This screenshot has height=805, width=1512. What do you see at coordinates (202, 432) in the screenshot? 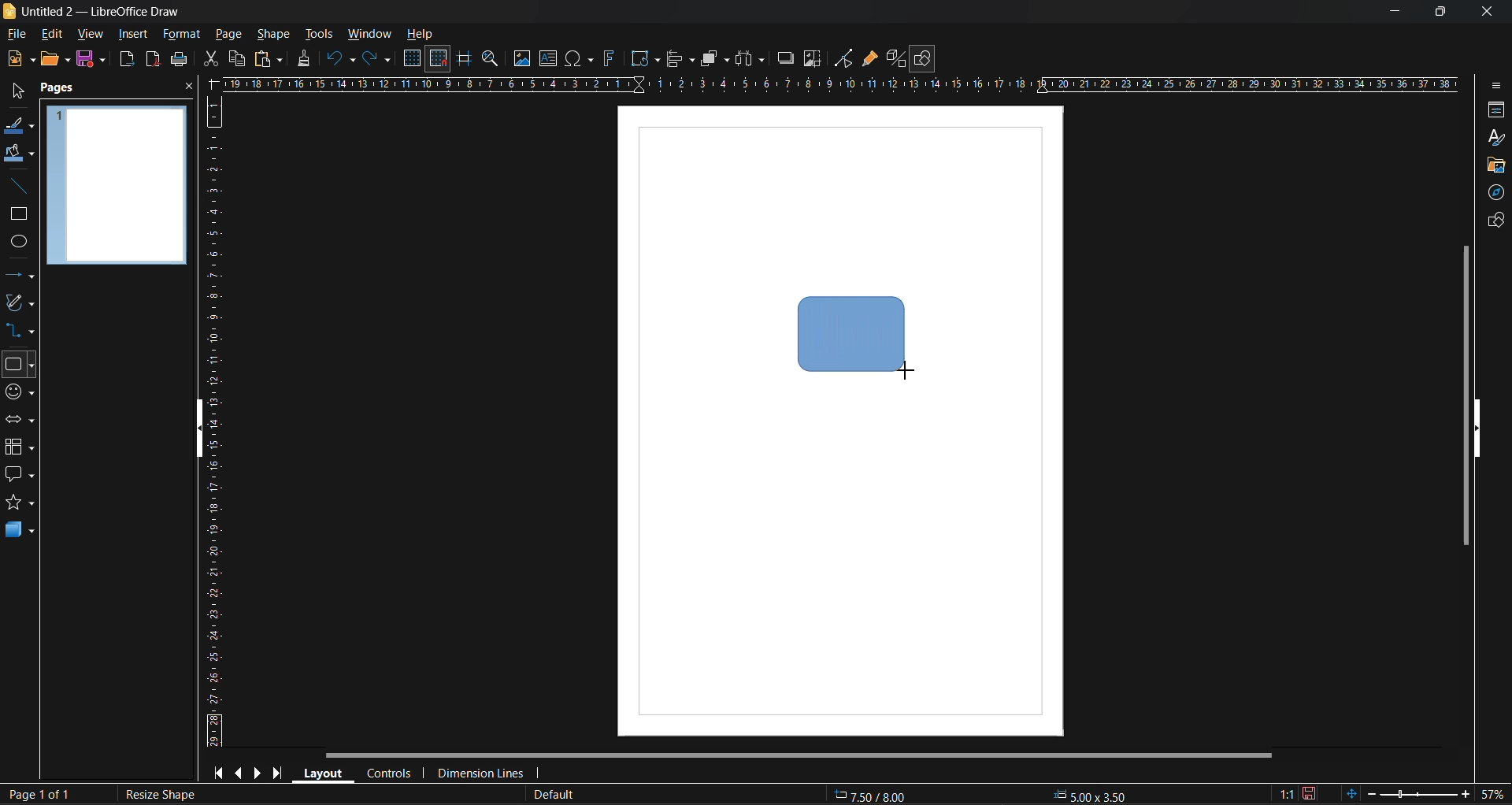
I see `hide` at bounding box center [202, 432].